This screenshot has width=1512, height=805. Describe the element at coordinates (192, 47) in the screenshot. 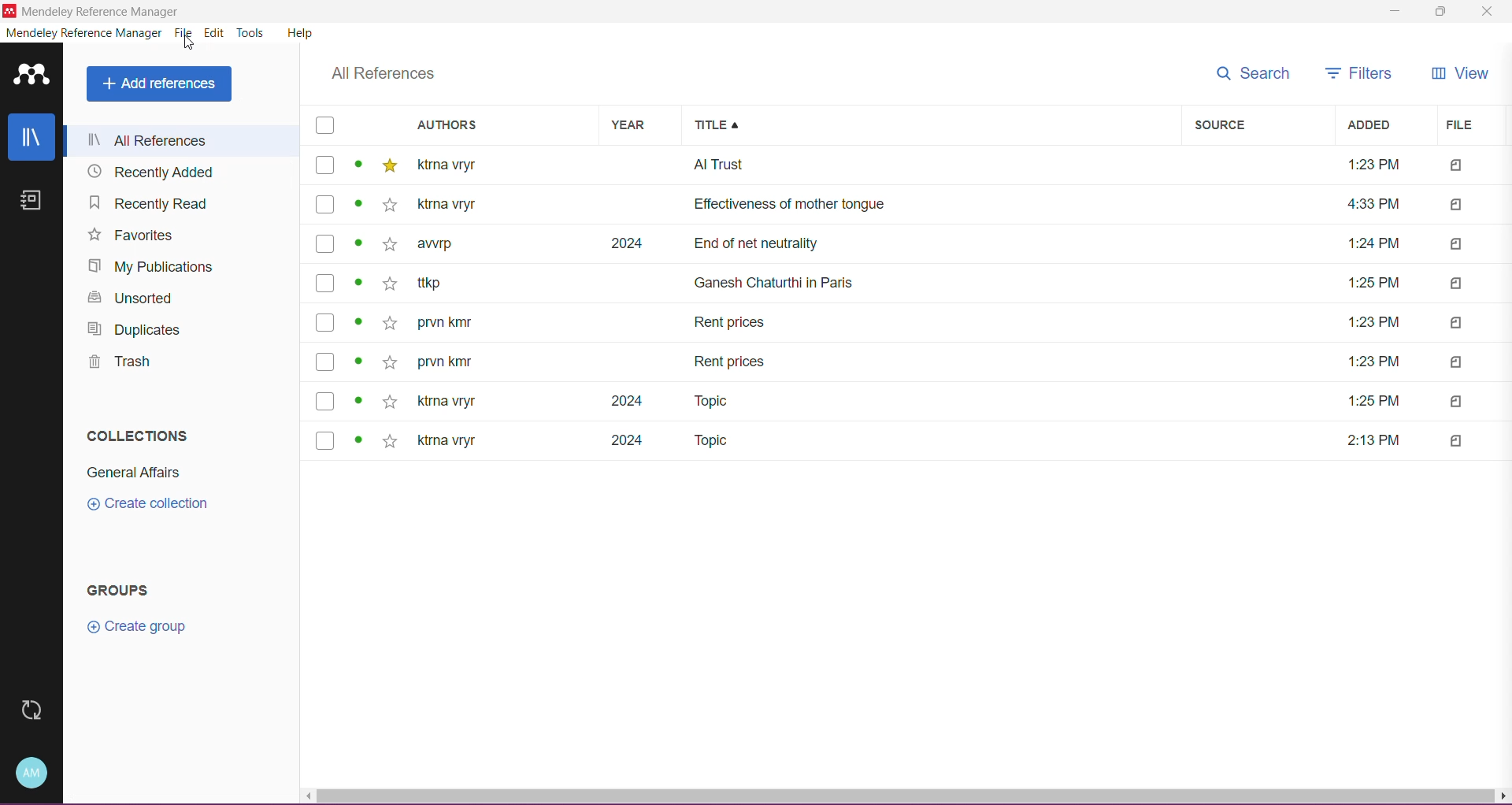

I see `cursor` at that location.